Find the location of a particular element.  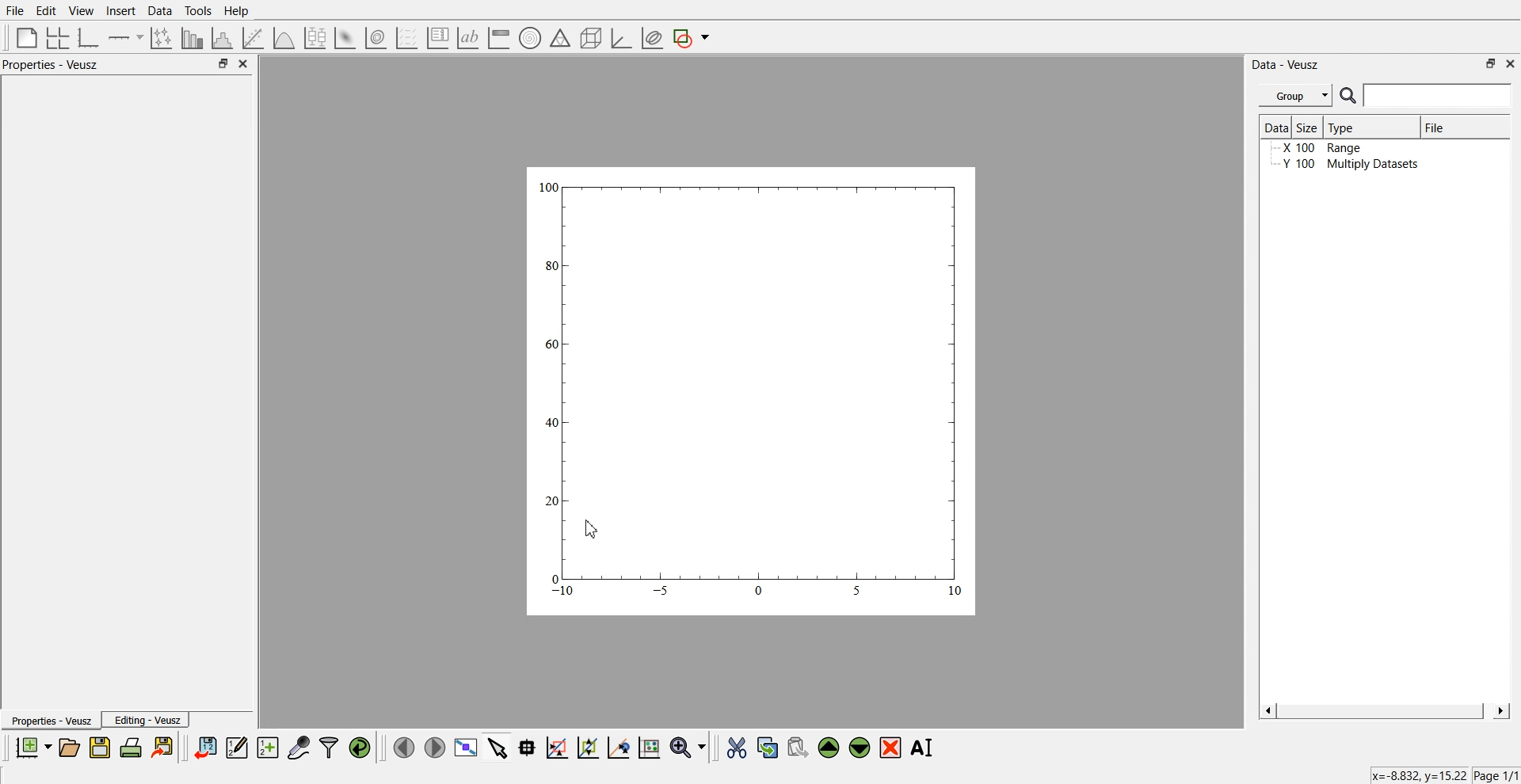

enter search field is located at coordinates (1439, 96).